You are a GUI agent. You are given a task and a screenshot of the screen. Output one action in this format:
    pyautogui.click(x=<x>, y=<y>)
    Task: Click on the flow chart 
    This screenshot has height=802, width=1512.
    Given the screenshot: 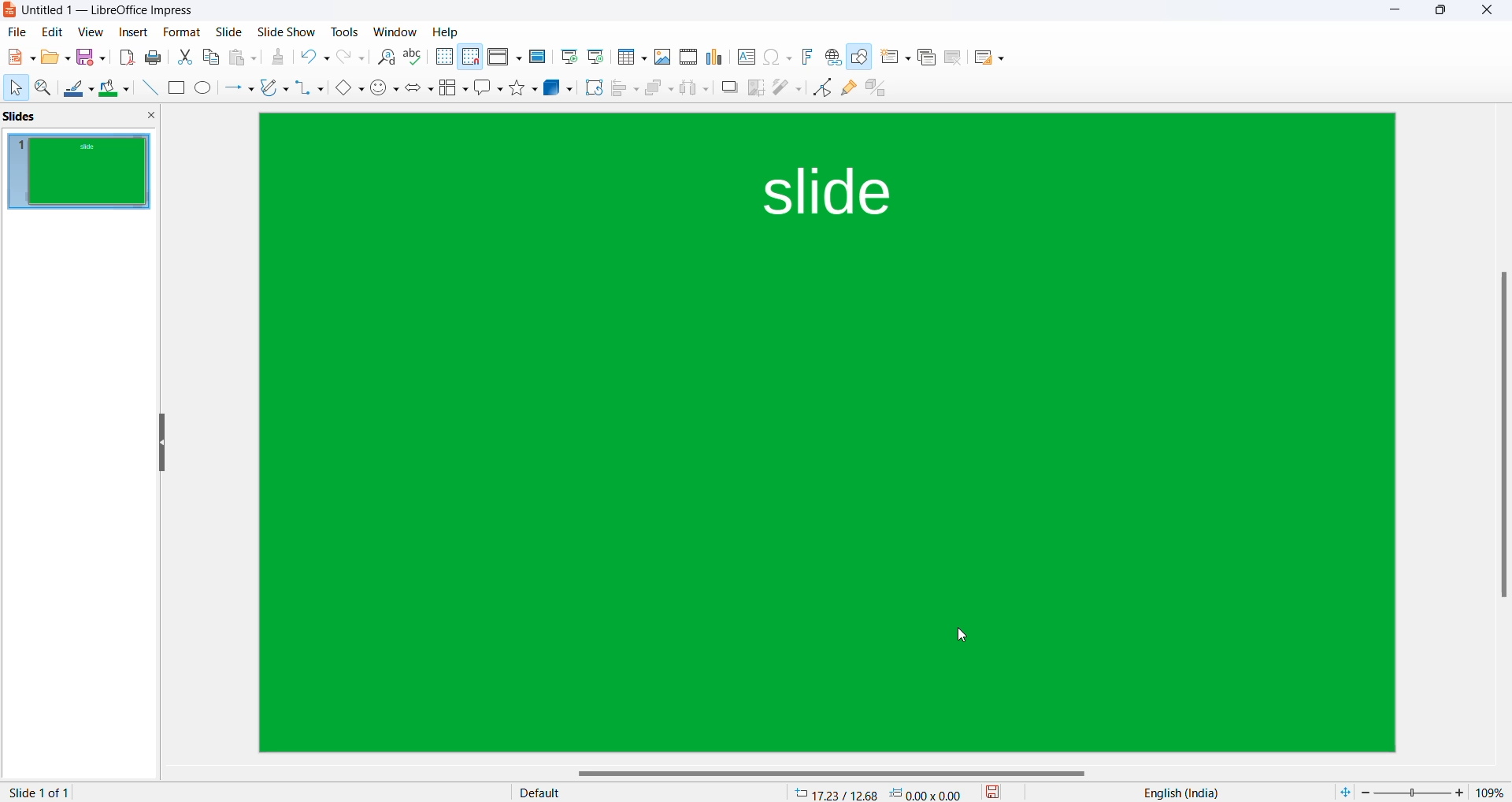 What is the action you would take?
    pyautogui.click(x=454, y=87)
    